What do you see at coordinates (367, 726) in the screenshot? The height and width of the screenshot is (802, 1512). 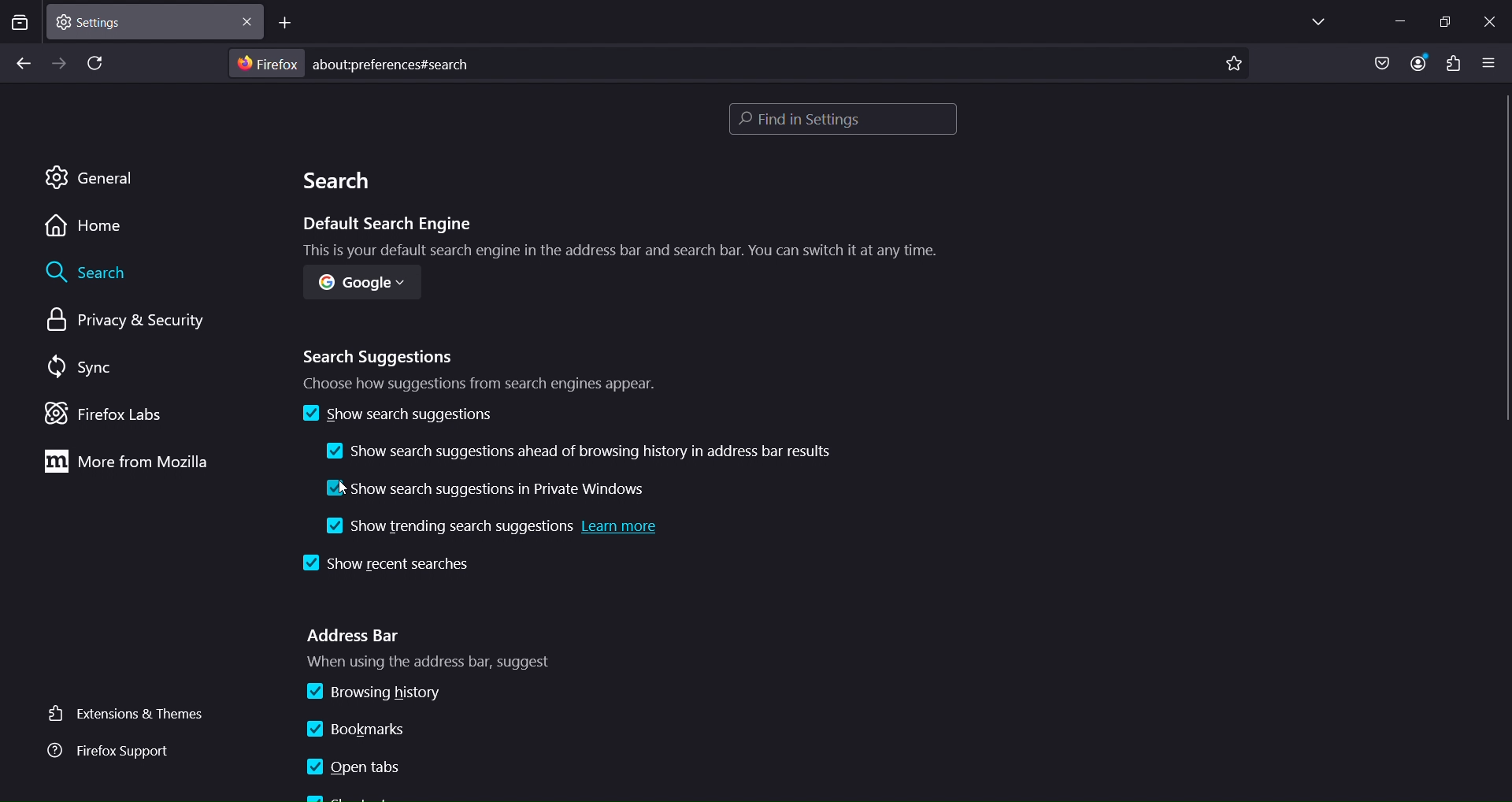 I see `bookmarks` at bounding box center [367, 726].